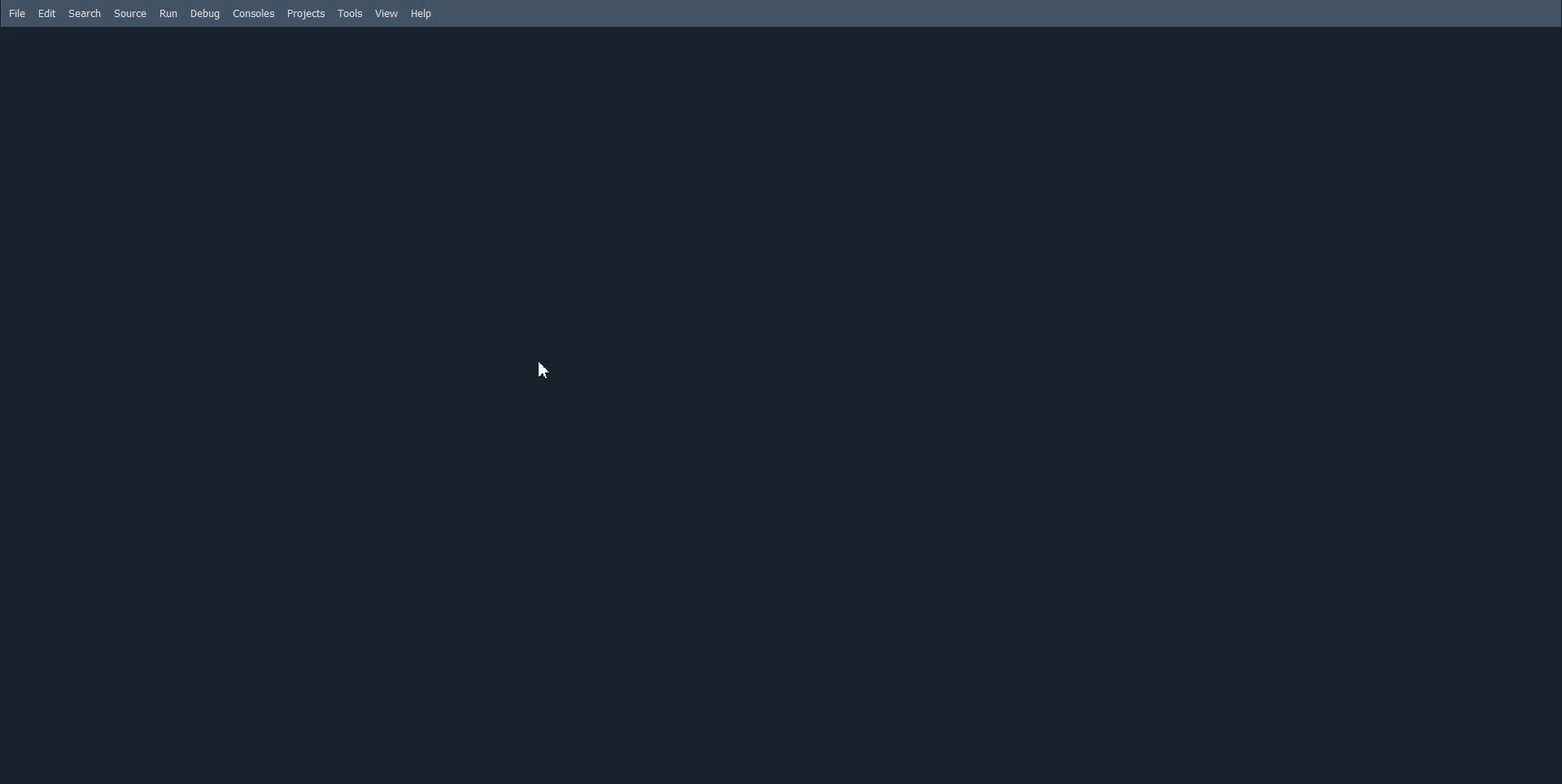 This screenshot has width=1562, height=784. I want to click on Debug, so click(205, 14).